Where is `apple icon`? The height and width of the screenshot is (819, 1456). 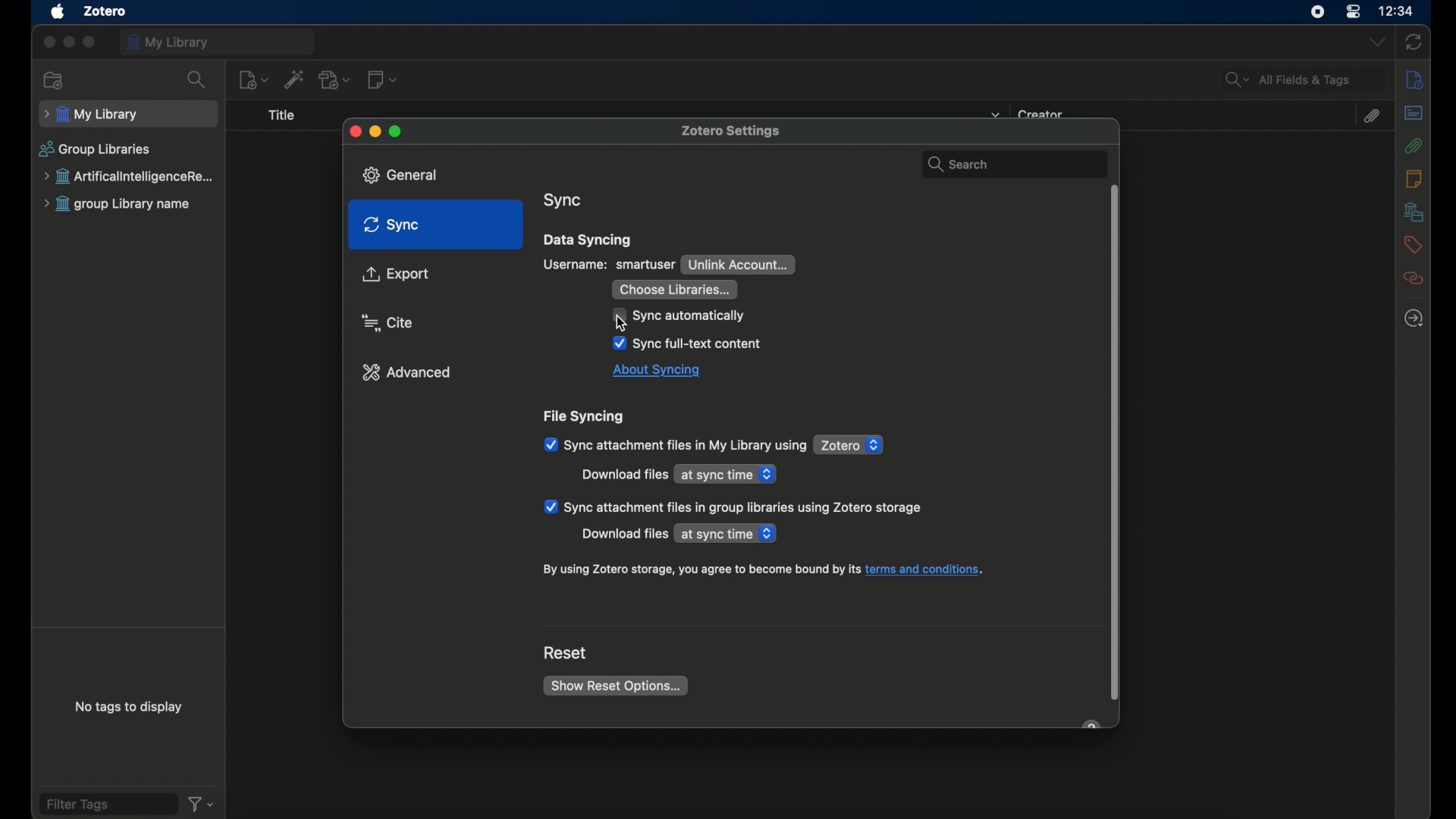 apple icon is located at coordinates (57, 12).